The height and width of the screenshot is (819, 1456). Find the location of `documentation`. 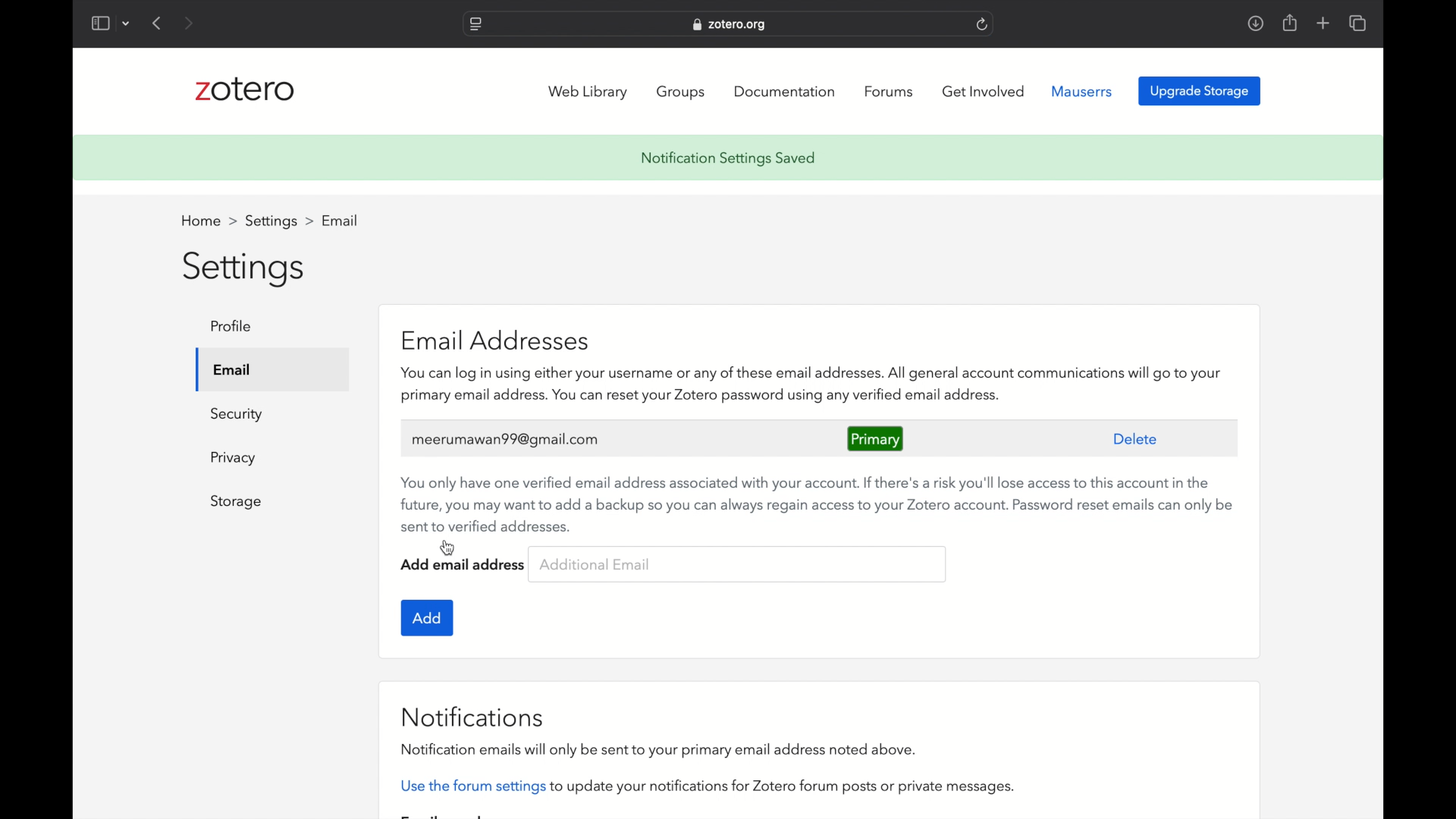

documentation is located at coordinates (786, 90).